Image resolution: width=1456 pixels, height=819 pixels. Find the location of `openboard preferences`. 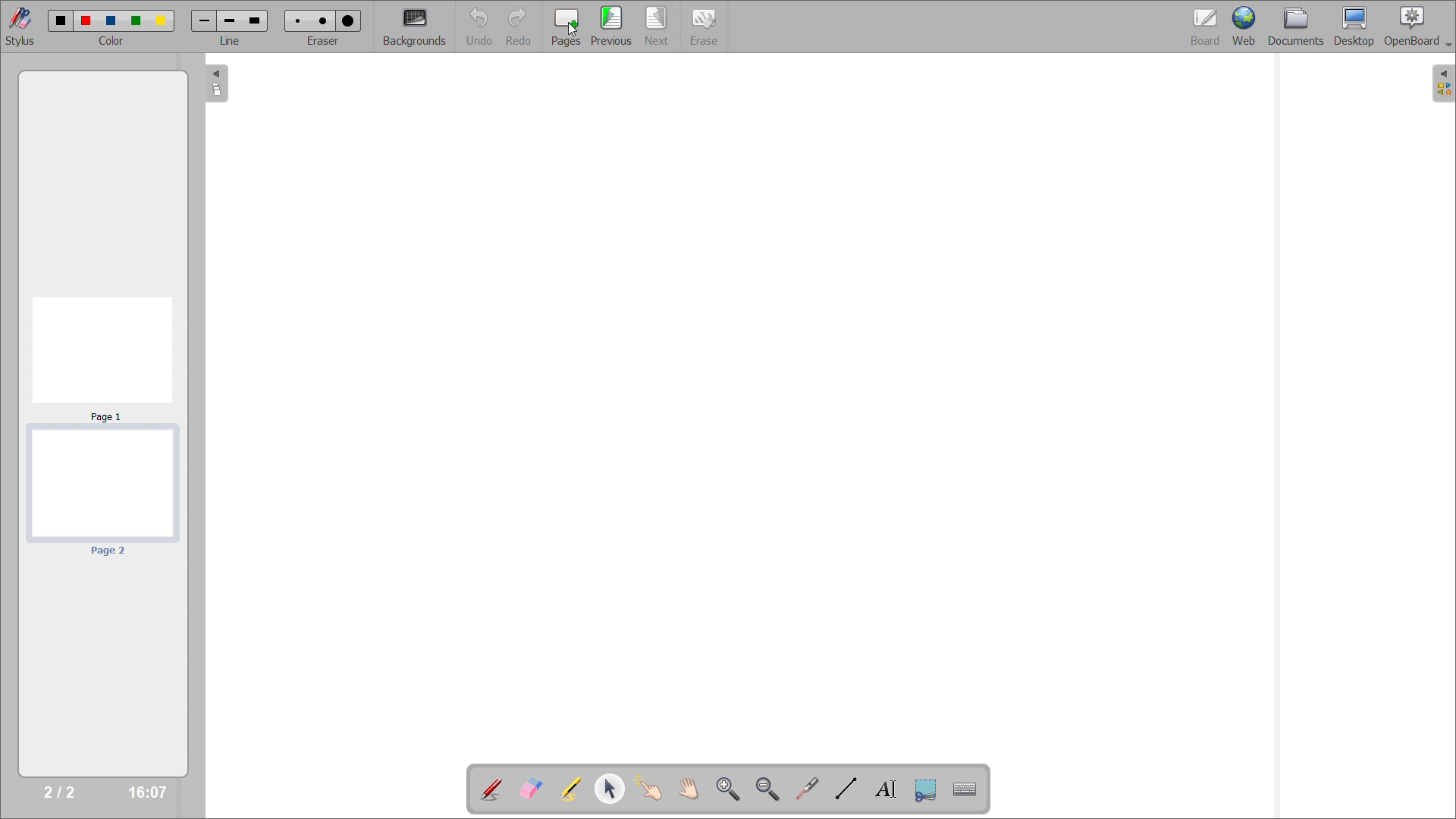

openboard preferences is located at coordinates (1418, 27).